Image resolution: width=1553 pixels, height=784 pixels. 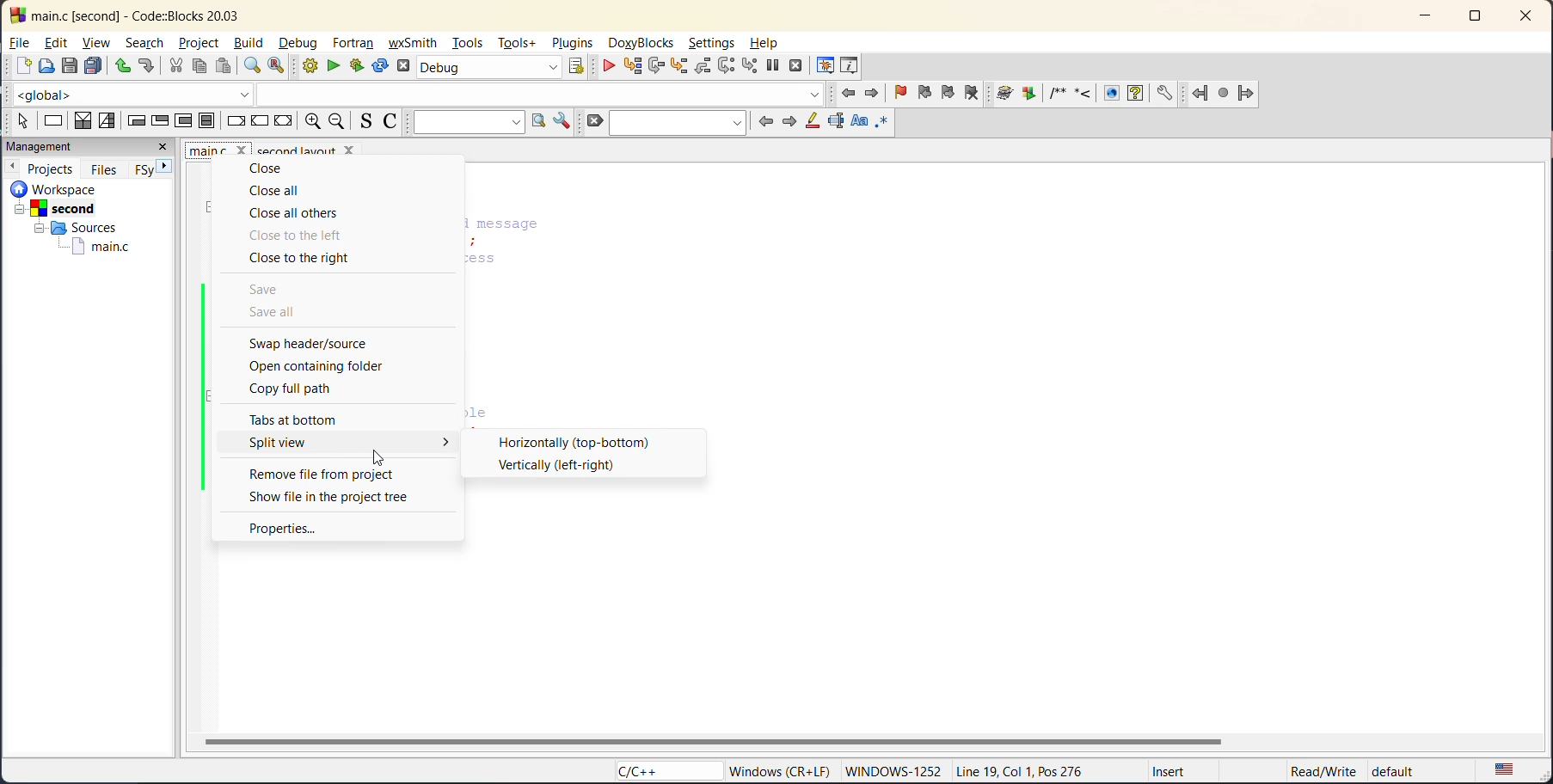 What do you see at coordinates (147, 65) in the screenshot?
I see `redo` at bounding box center [147, 65].